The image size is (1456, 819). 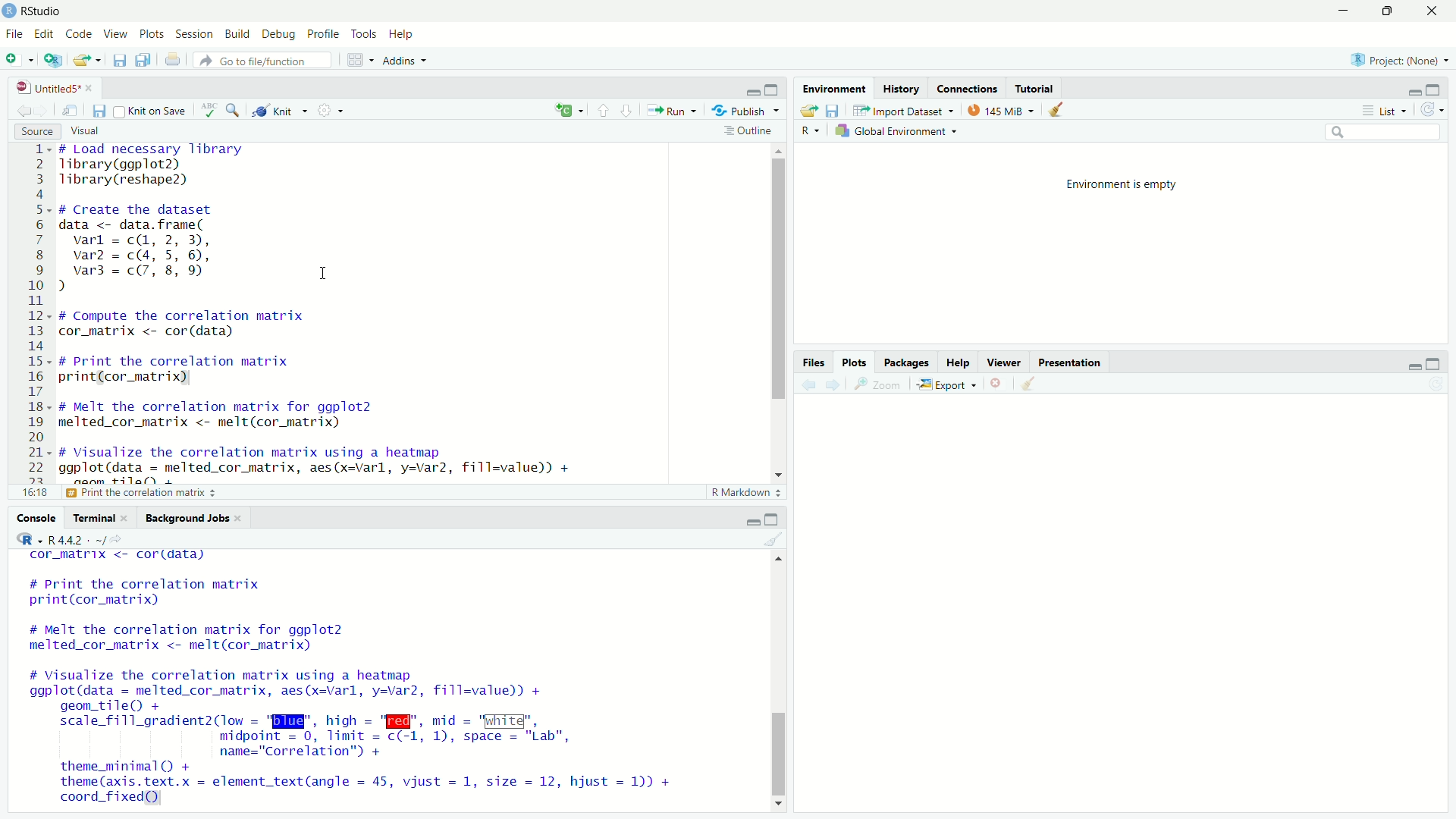 What do you see at coordinates (780, 280) in the screenshot?
I see `vertical scrollbar` at bounding box center [780, 280].